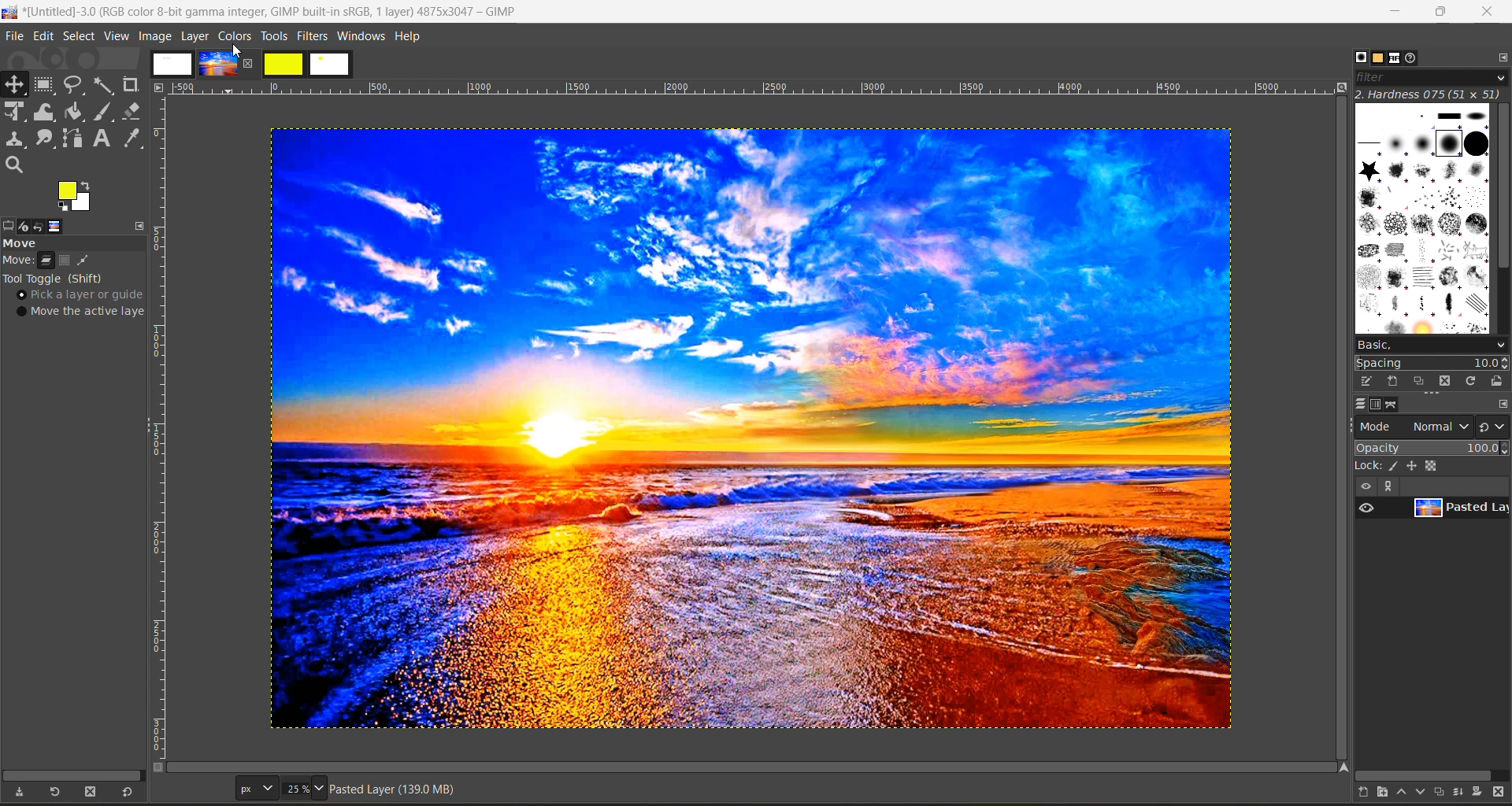 The width and height of the screenshot is (1512, 806). Describe the element at coordinates (93, 792) in the screenshot. I see `delete tool preset` at that location.